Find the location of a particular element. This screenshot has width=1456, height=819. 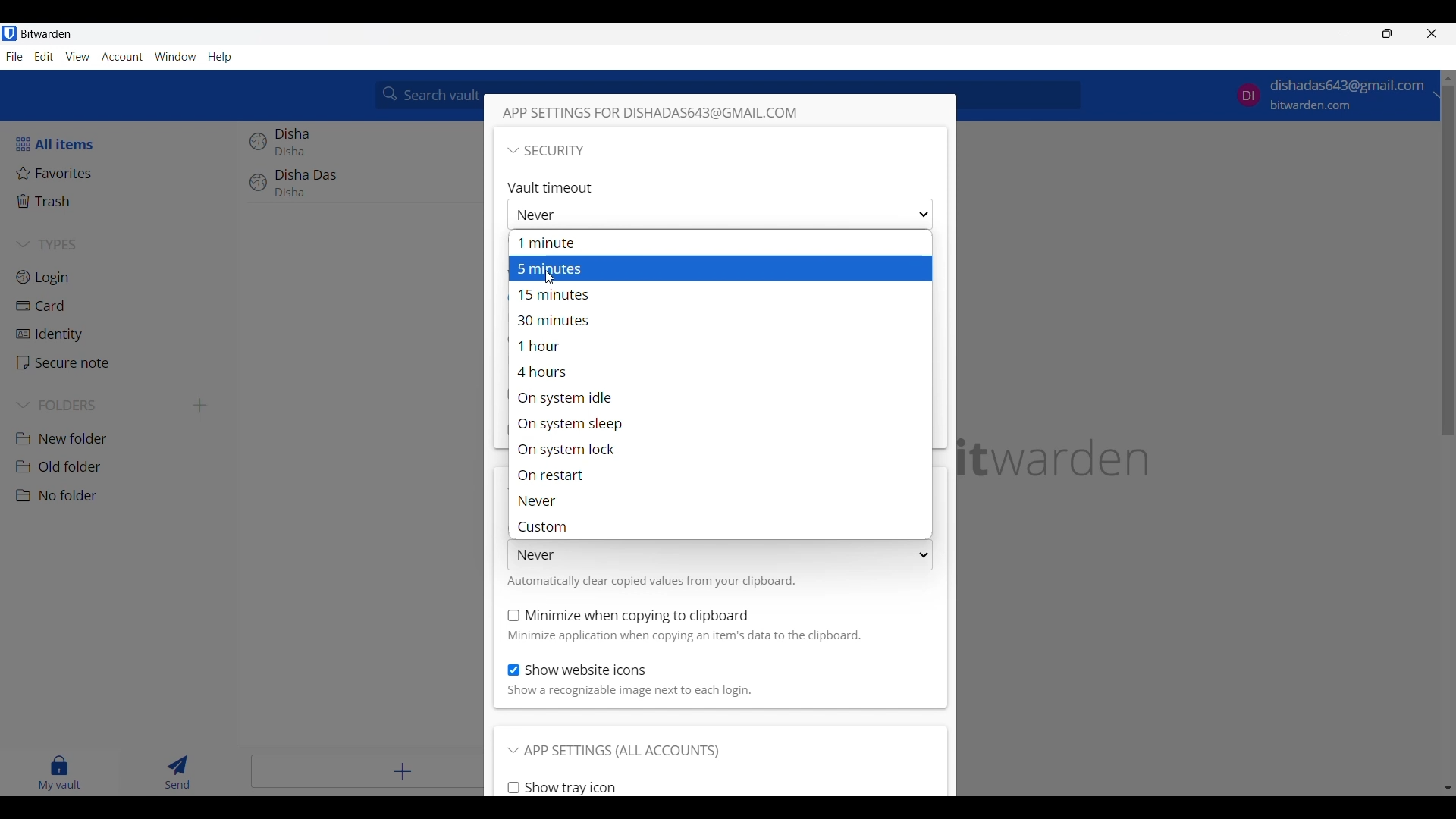

Vault timeout options is located at coordinates (719, 215).